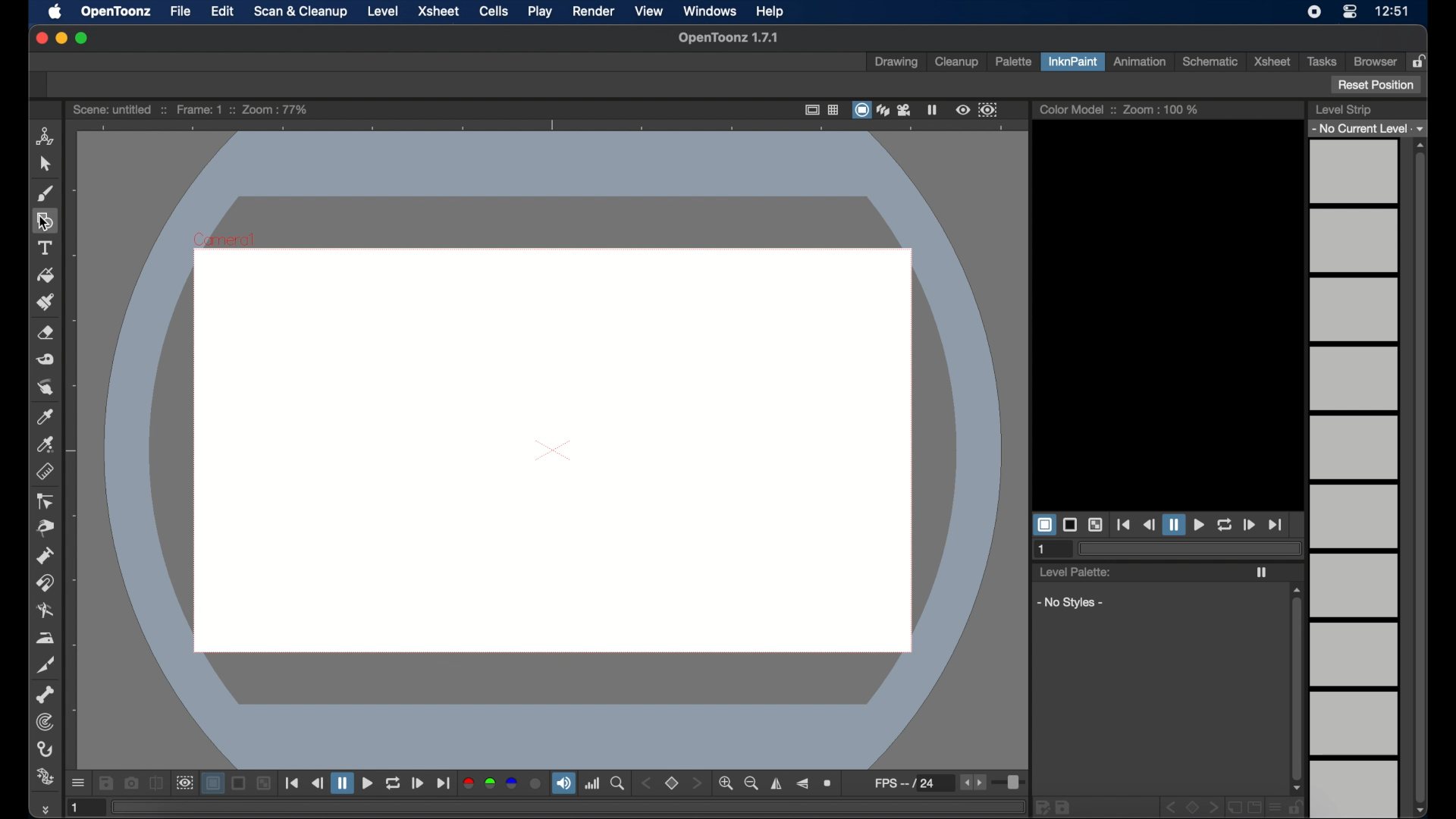 The height and width of the screenshot is (819, 1456). I want to click on palette, so click(1013, 63).